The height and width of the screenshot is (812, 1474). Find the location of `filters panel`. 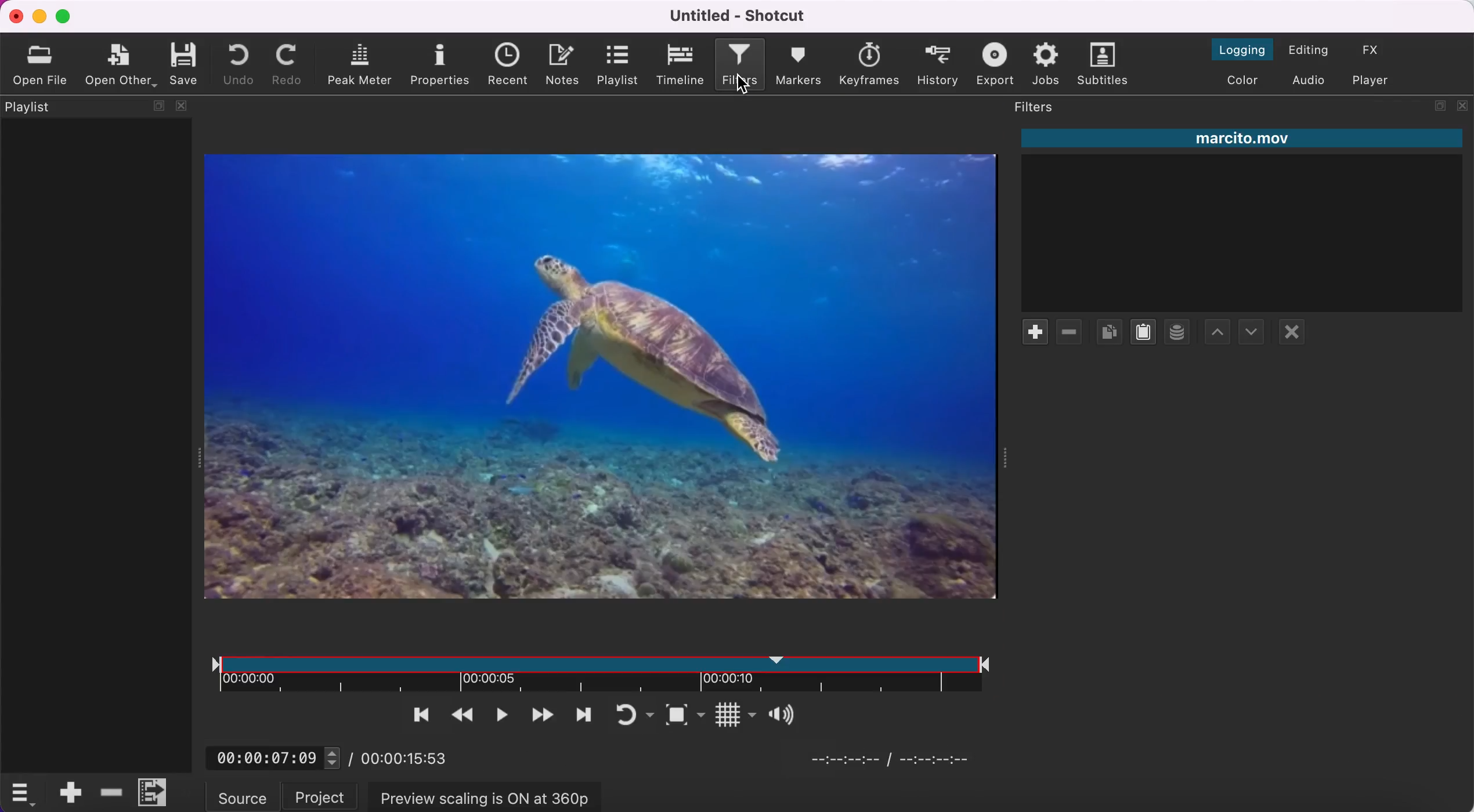

filters panel is located at coordinates (1045, 108).